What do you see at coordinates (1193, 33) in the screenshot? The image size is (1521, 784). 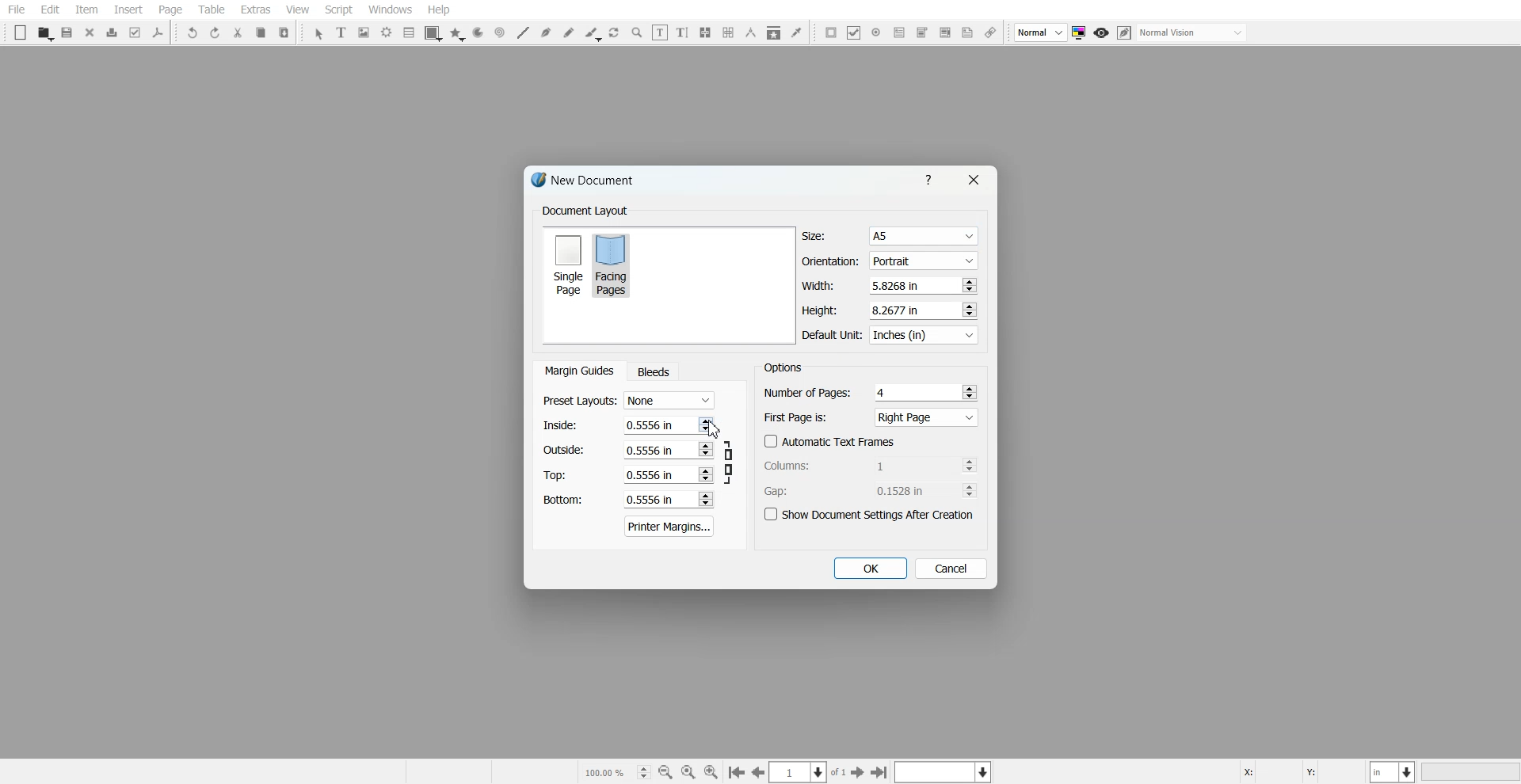 I see `Select visual appearance of the display` at bounding box center [1193, 33].